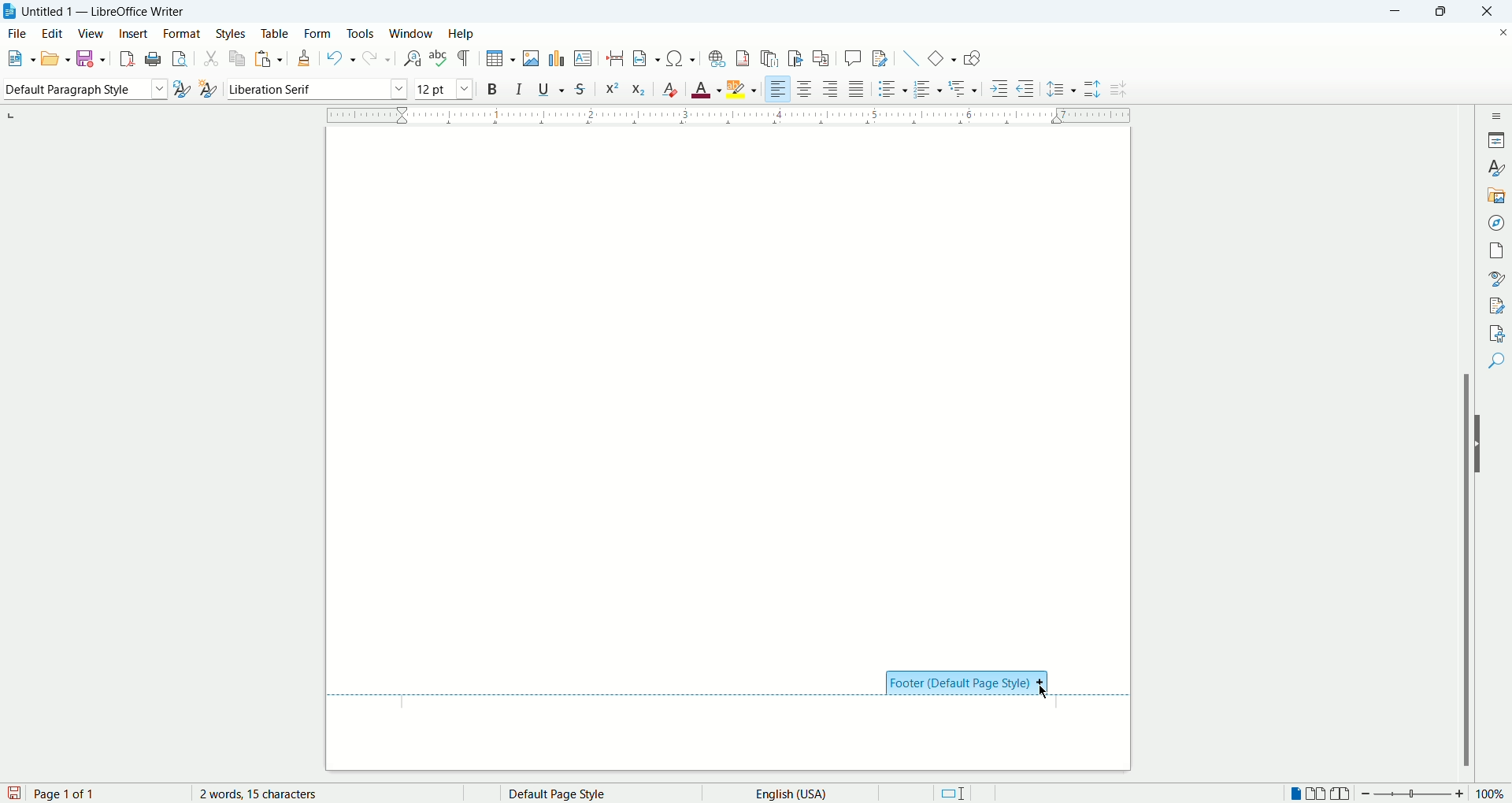  I want to click on decrease paragraph spacing, so click(1118, 90).